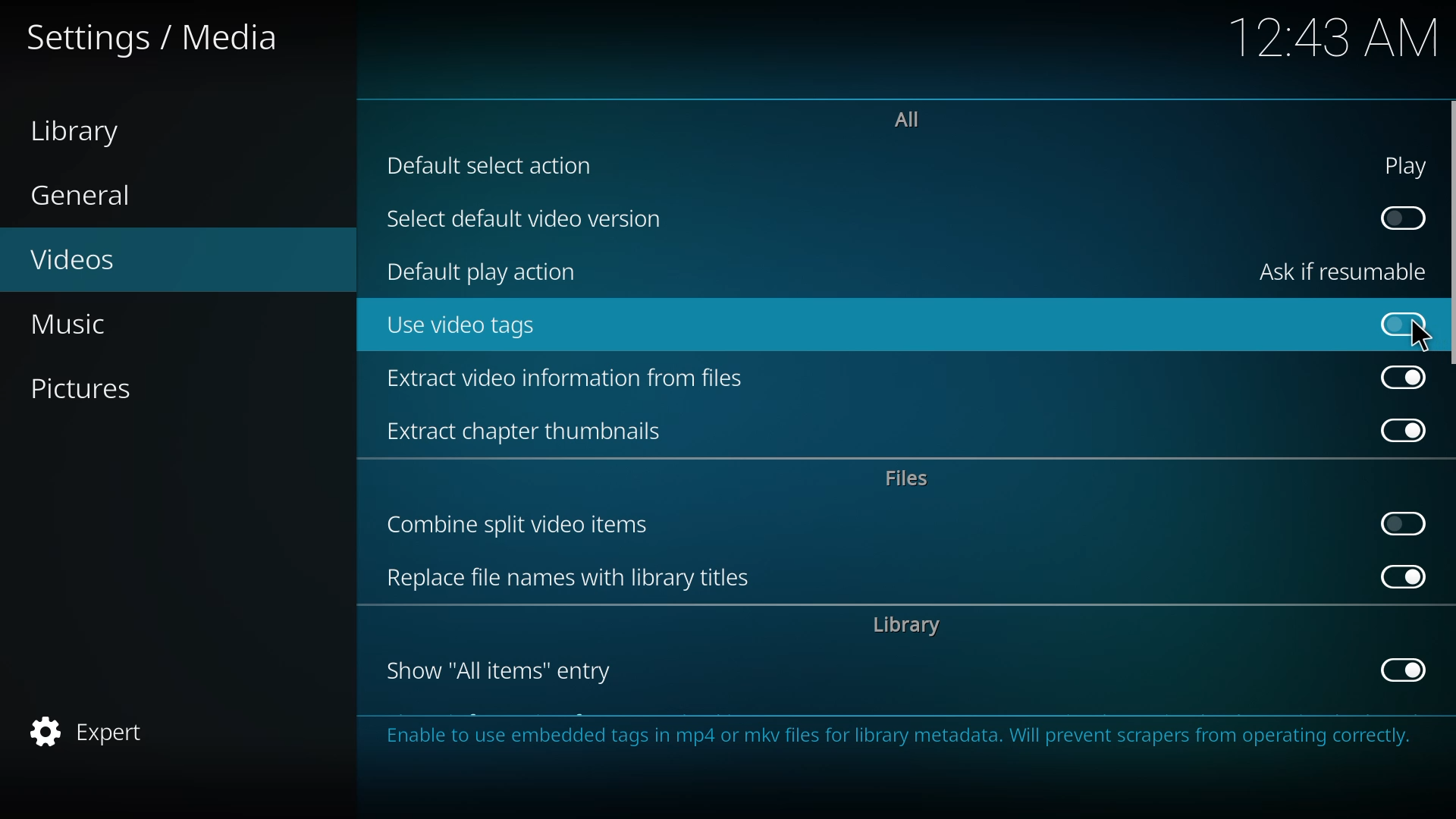  Describe the element at coordinates (469, 328) in the screenshot. I see `use video tags` at that location.